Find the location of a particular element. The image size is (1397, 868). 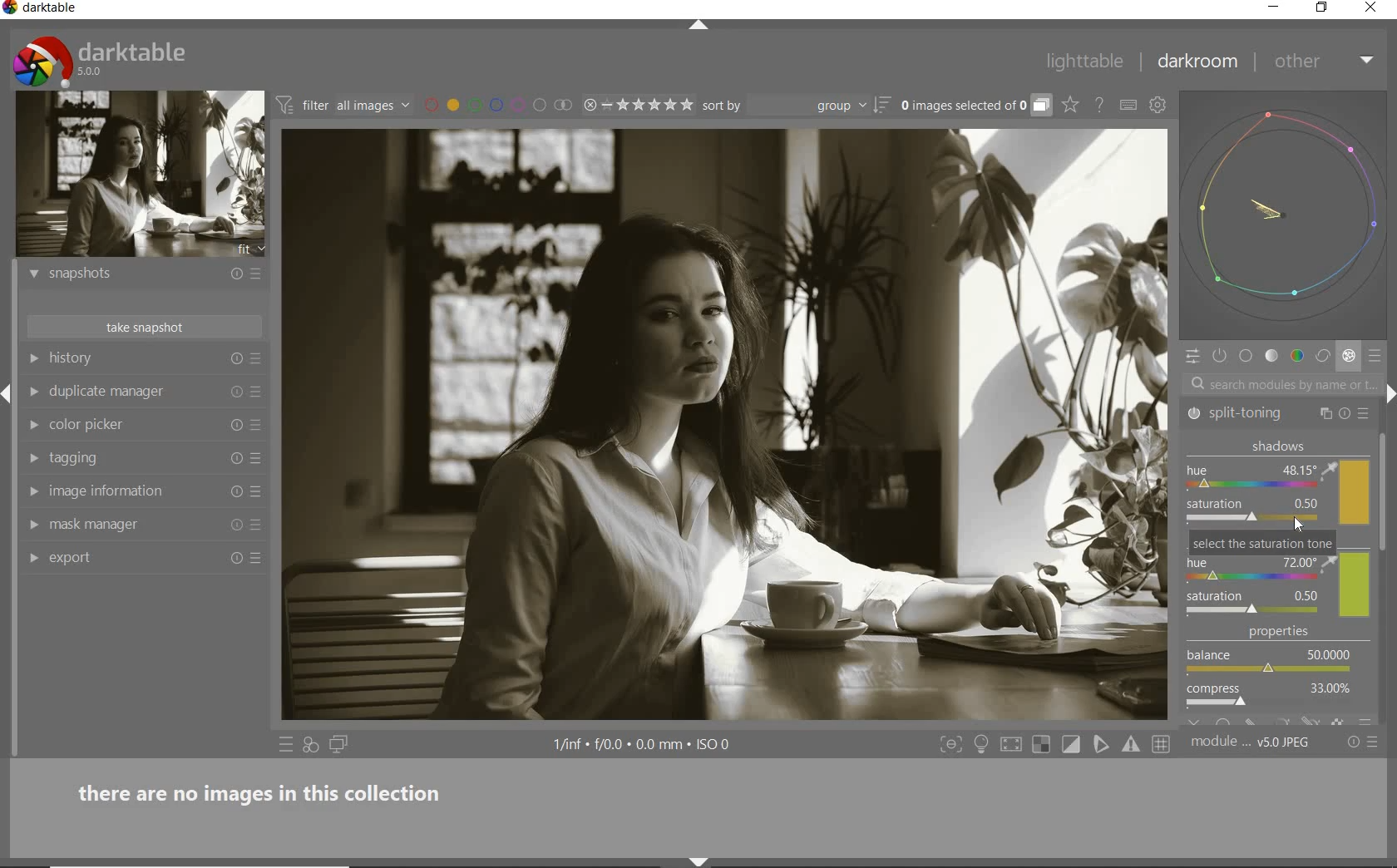

reset is located at coordinates (235, 528).